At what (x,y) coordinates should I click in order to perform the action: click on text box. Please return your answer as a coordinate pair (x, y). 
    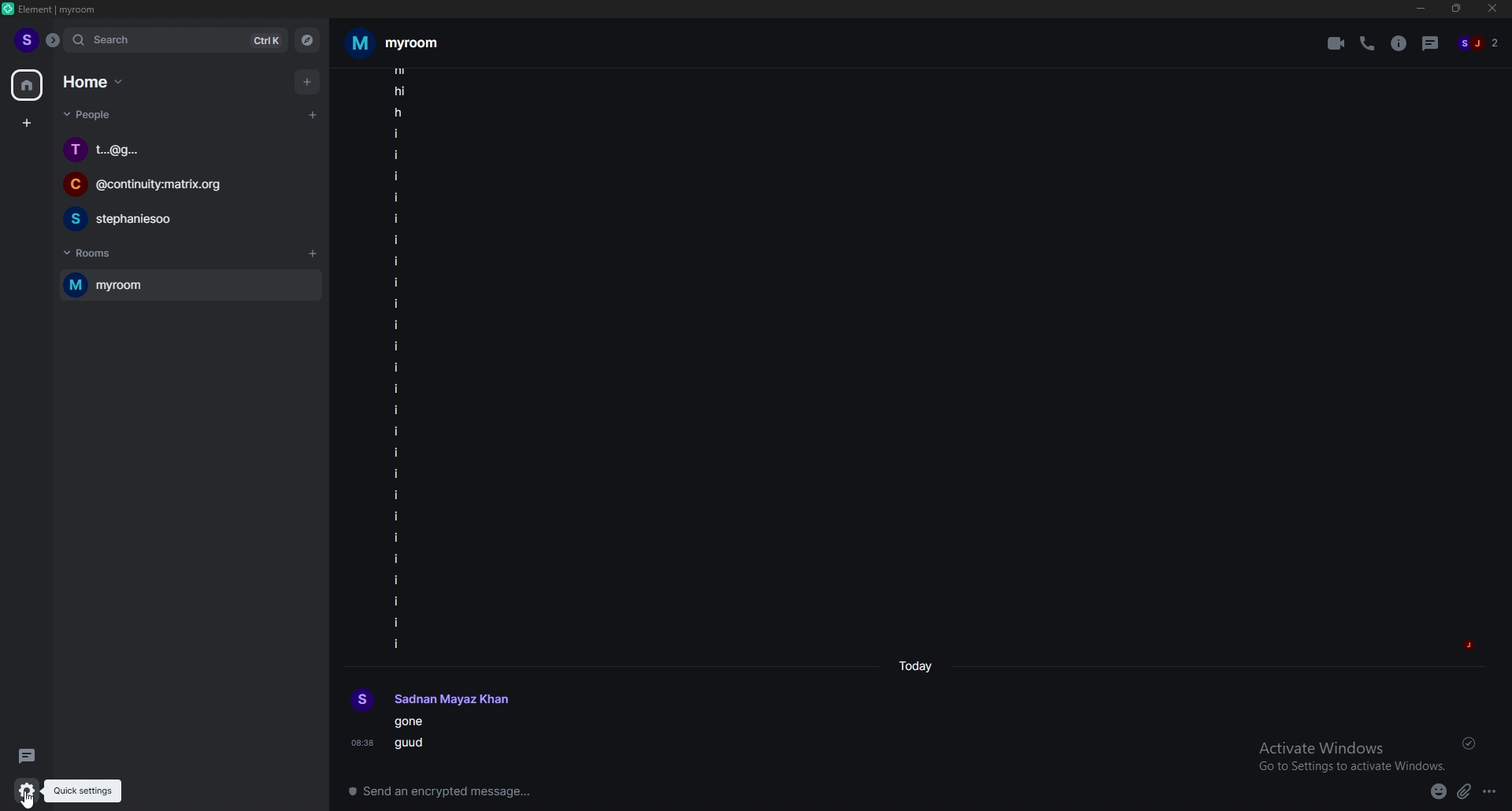
    Looking at the image, I should click on (570, 787).